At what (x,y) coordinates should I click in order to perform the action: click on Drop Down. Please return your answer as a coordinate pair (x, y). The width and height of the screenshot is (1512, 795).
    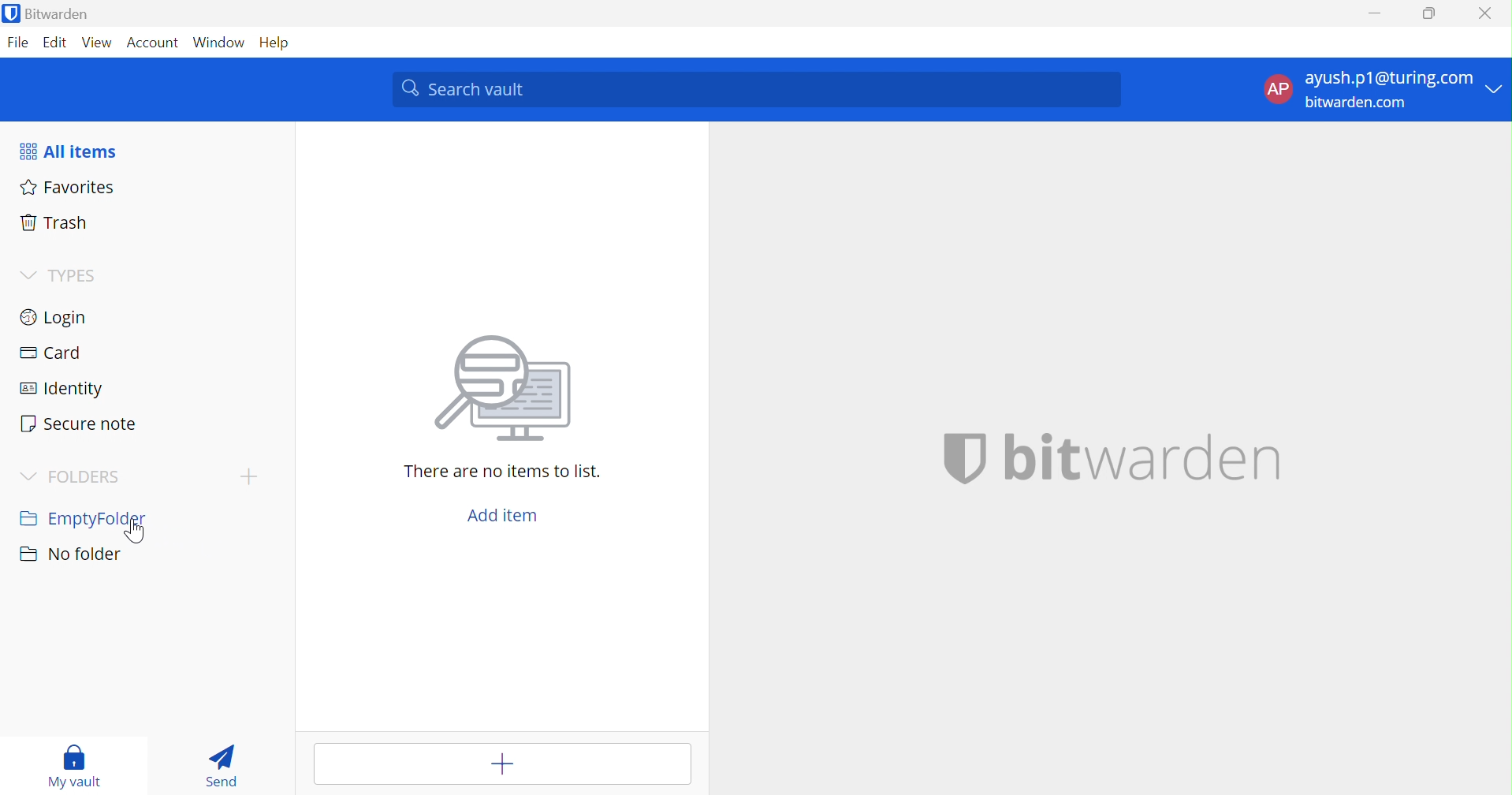
    Looking at the image, I should click on (30, 478).